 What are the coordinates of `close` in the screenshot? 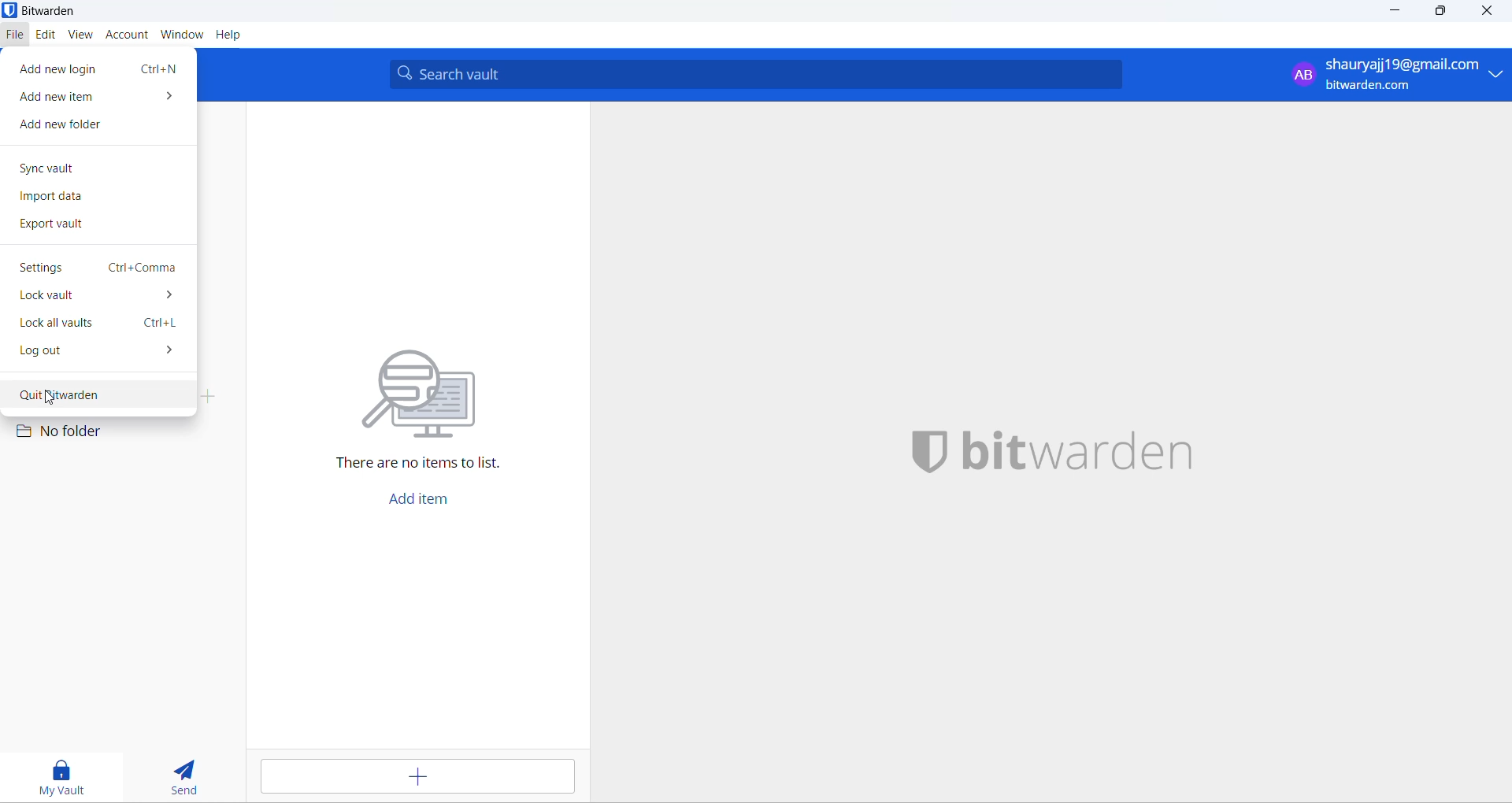 It's located at (1490, 13).